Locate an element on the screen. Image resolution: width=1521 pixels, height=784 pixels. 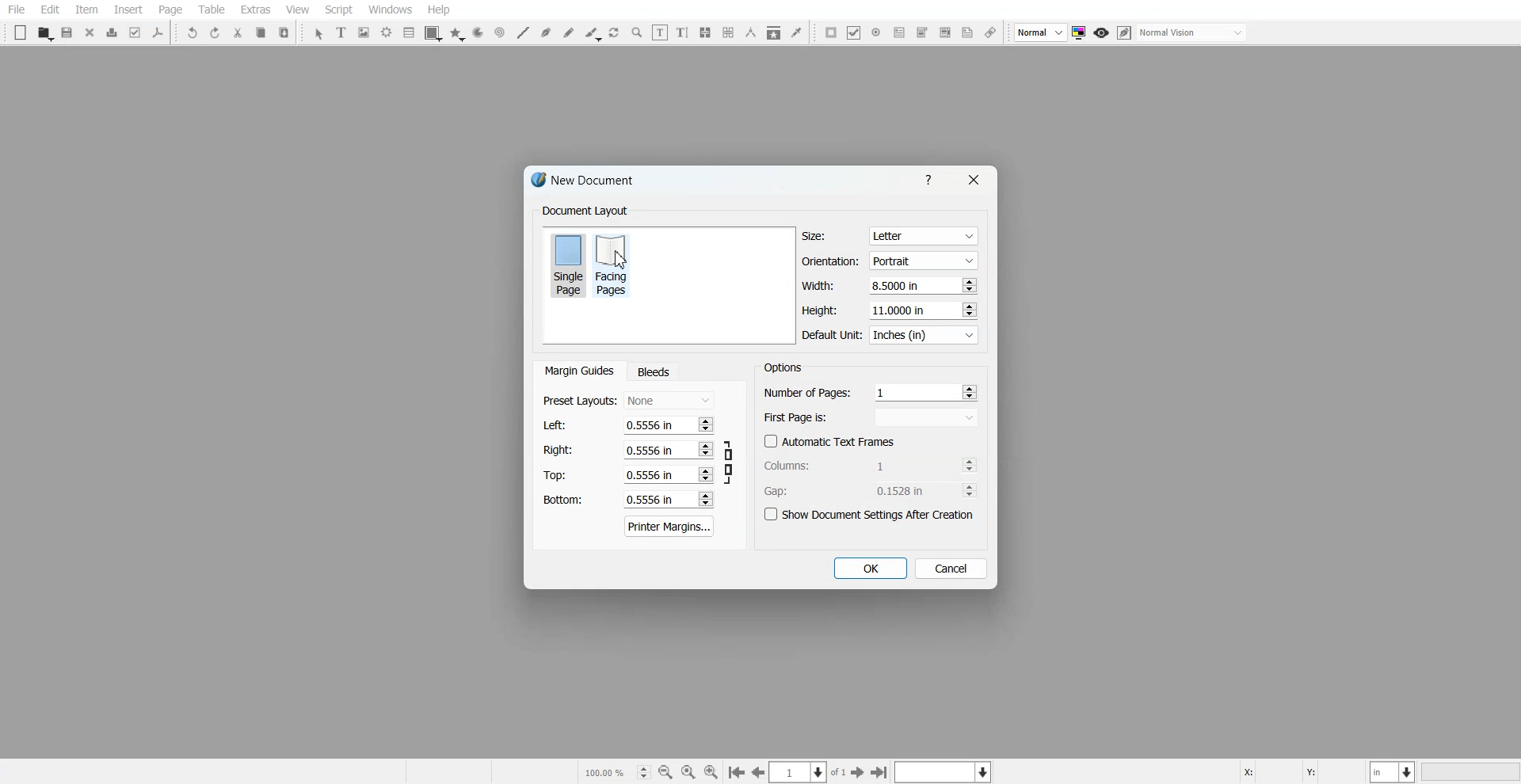
PDF List Box is located at coordinates (944, 33).